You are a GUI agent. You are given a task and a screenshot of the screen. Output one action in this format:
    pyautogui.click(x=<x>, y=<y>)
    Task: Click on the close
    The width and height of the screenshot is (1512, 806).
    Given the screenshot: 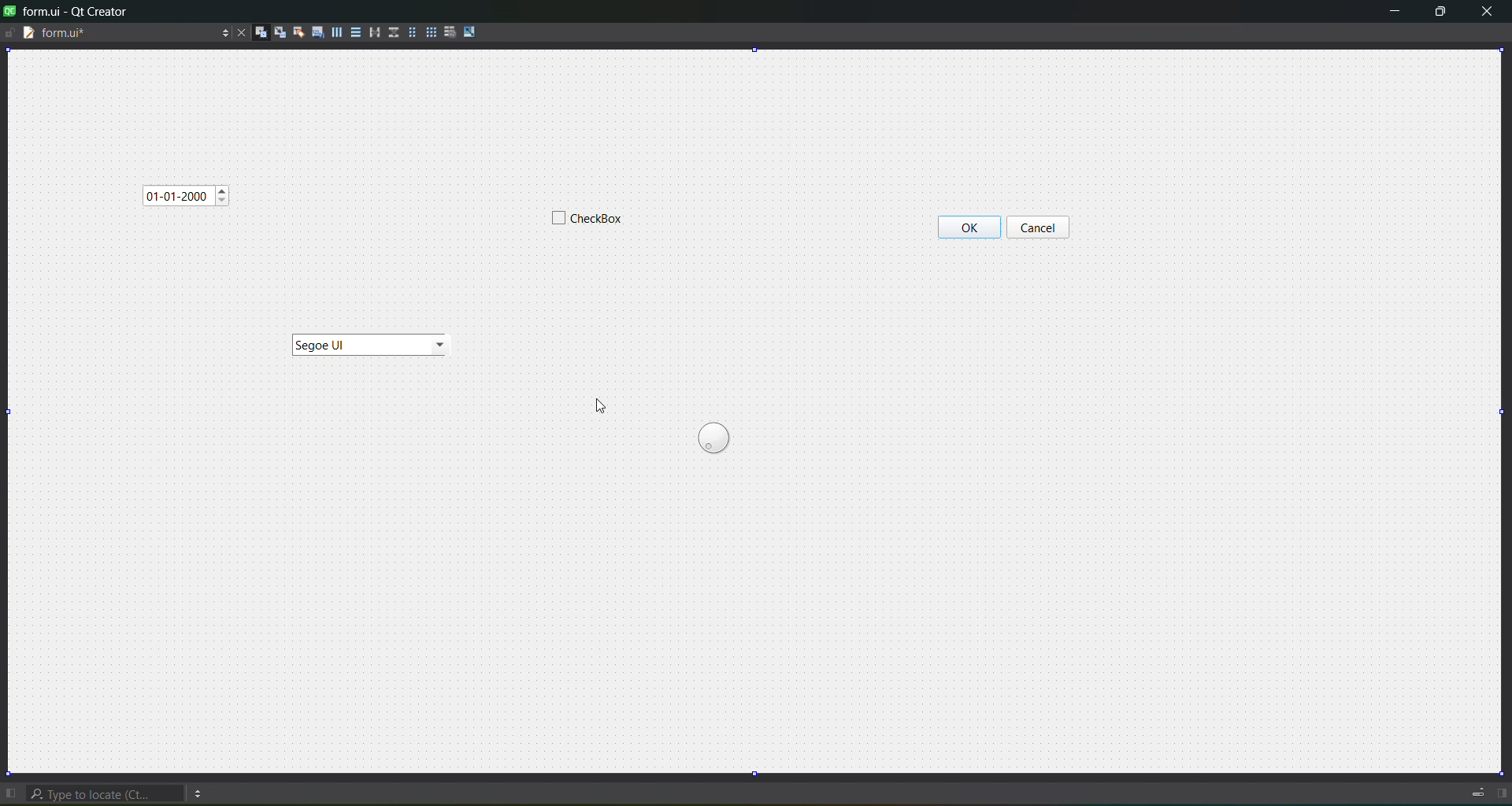 What is the action you would take?
    pyautogui.click(x=1492, y=13)
    